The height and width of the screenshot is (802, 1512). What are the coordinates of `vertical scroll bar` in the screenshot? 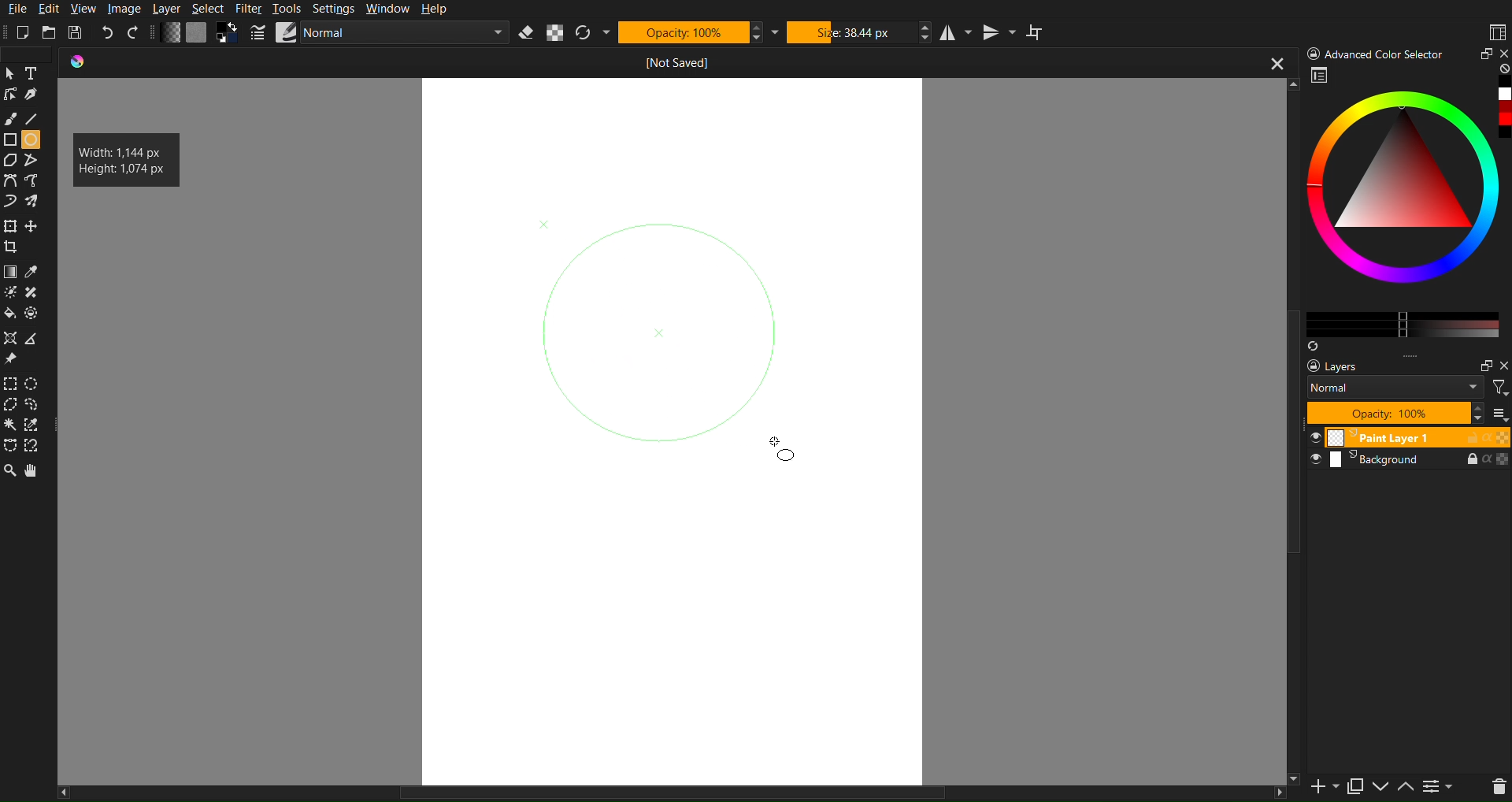 It's located at (1284, 389).